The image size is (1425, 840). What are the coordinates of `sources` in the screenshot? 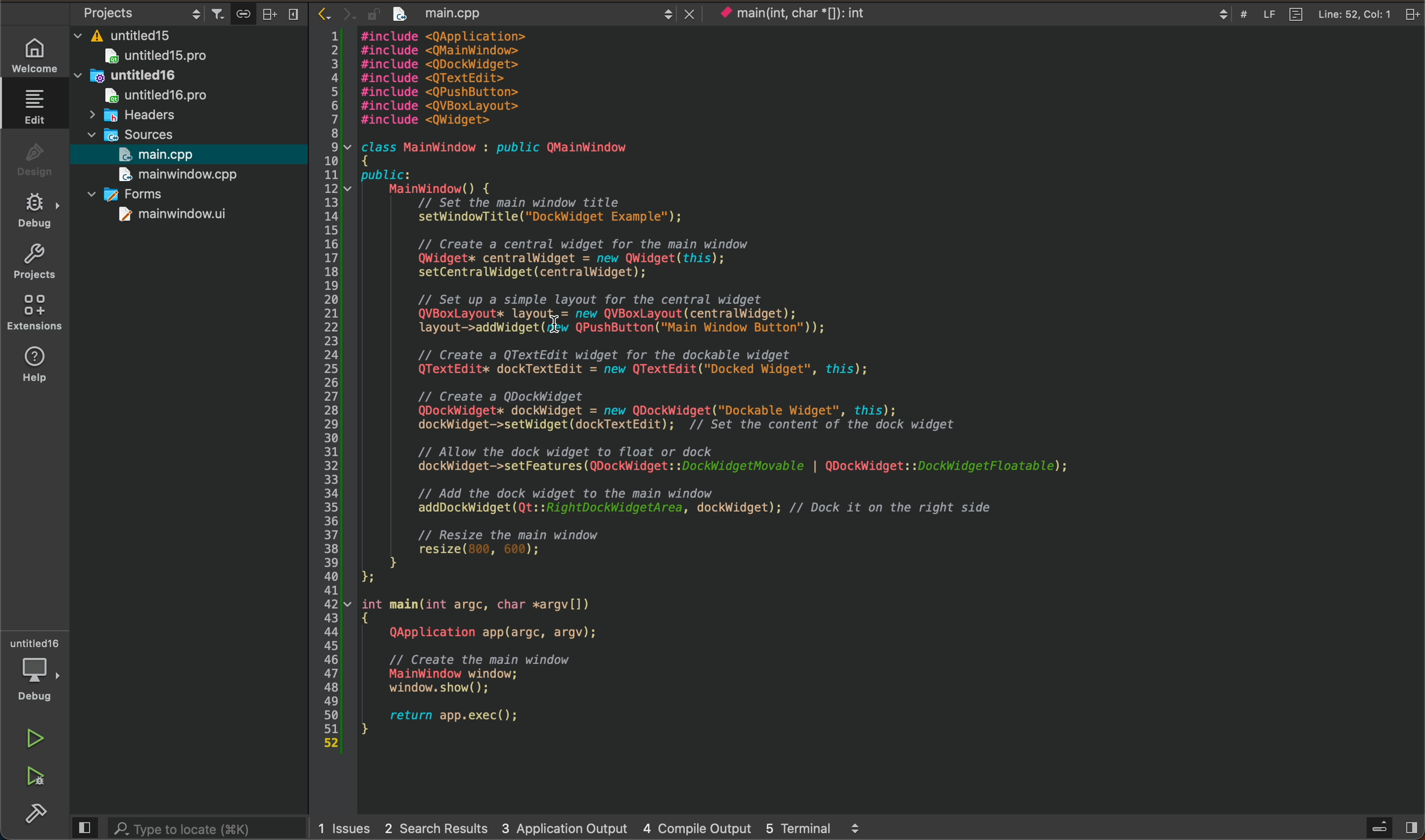 It's located at (141, 132).